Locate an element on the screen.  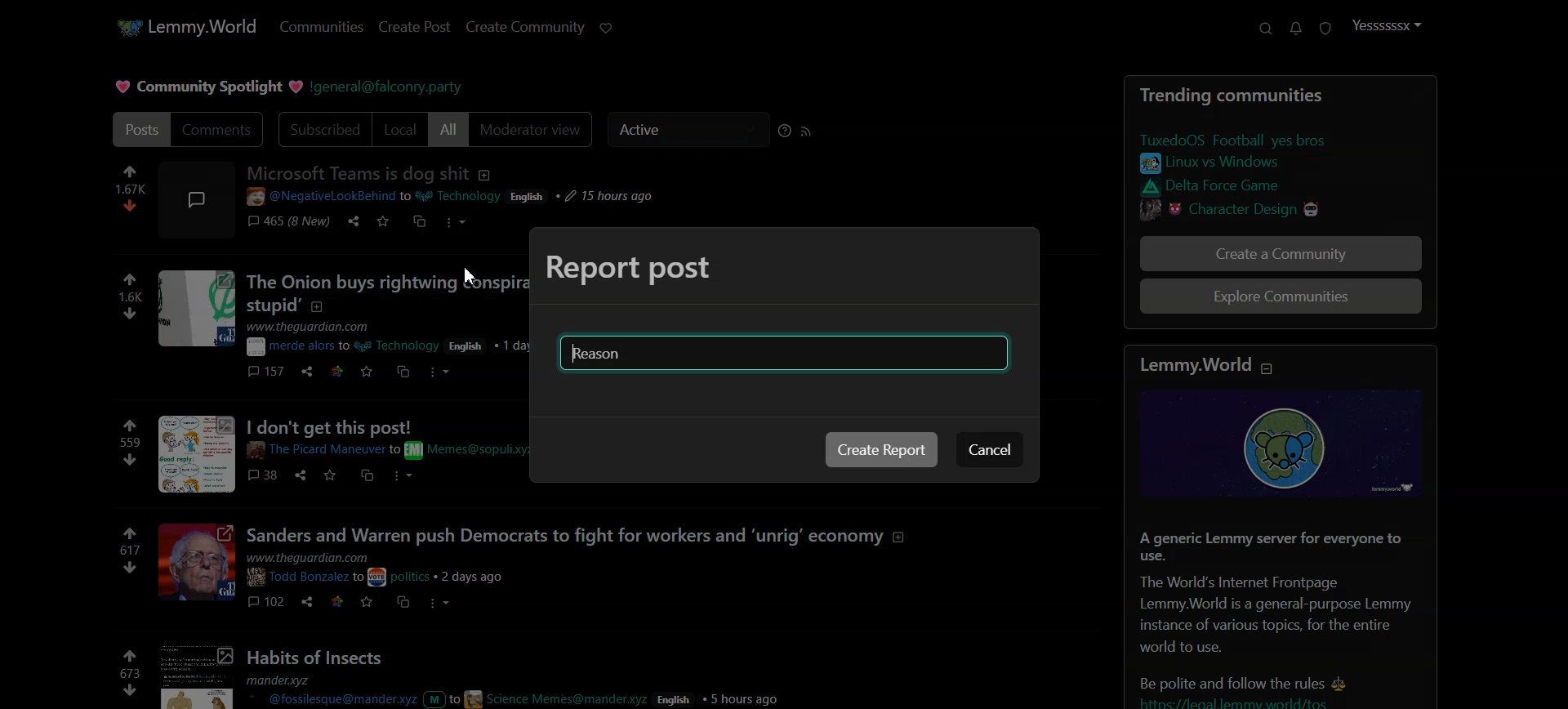
Subscribed is located at coordinates (323, 129).